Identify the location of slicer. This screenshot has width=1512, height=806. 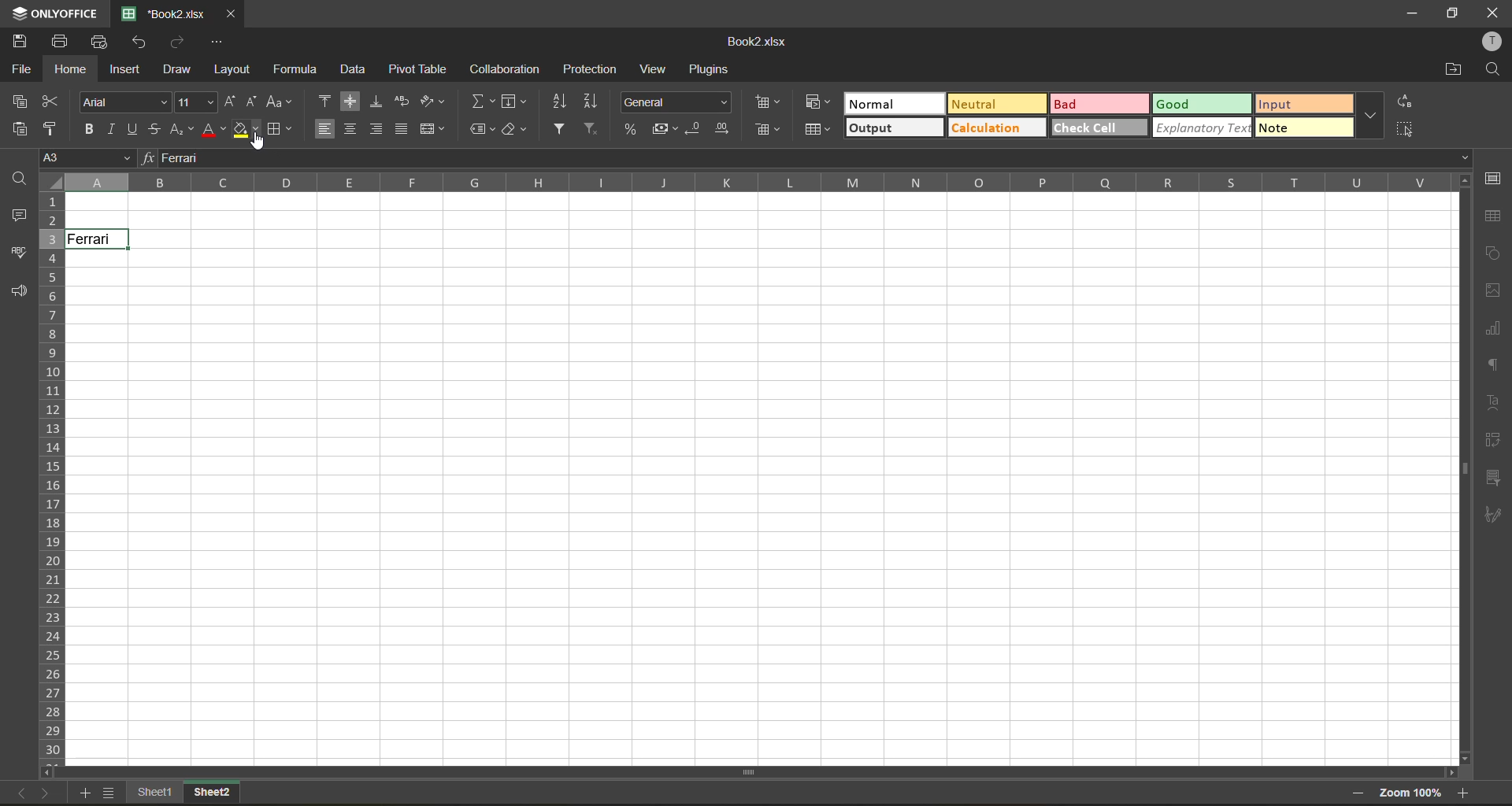
(1497, 478).